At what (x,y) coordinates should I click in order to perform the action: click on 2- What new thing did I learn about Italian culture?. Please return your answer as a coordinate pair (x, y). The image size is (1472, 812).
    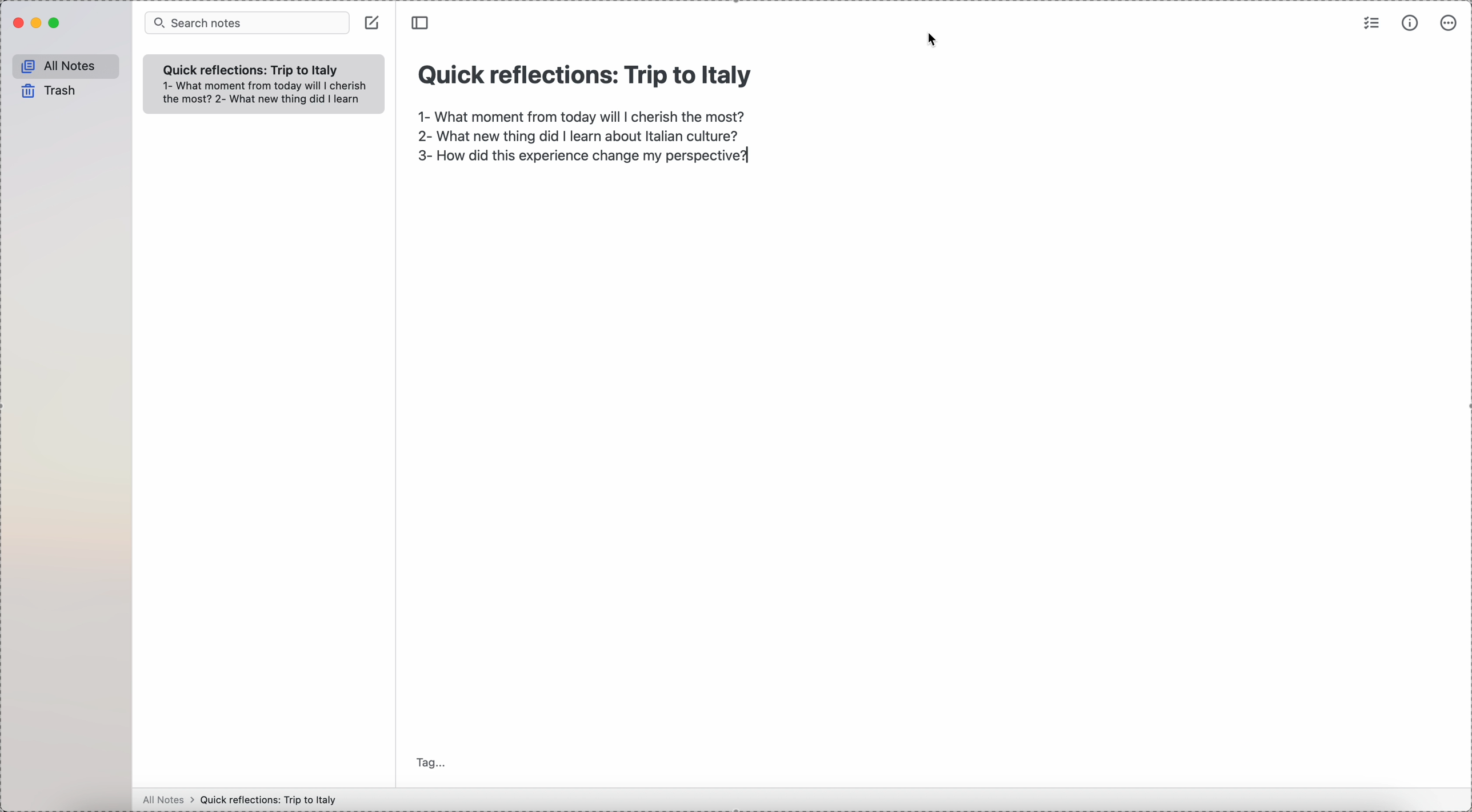
    Looking at the image, I should click on (263, 99).